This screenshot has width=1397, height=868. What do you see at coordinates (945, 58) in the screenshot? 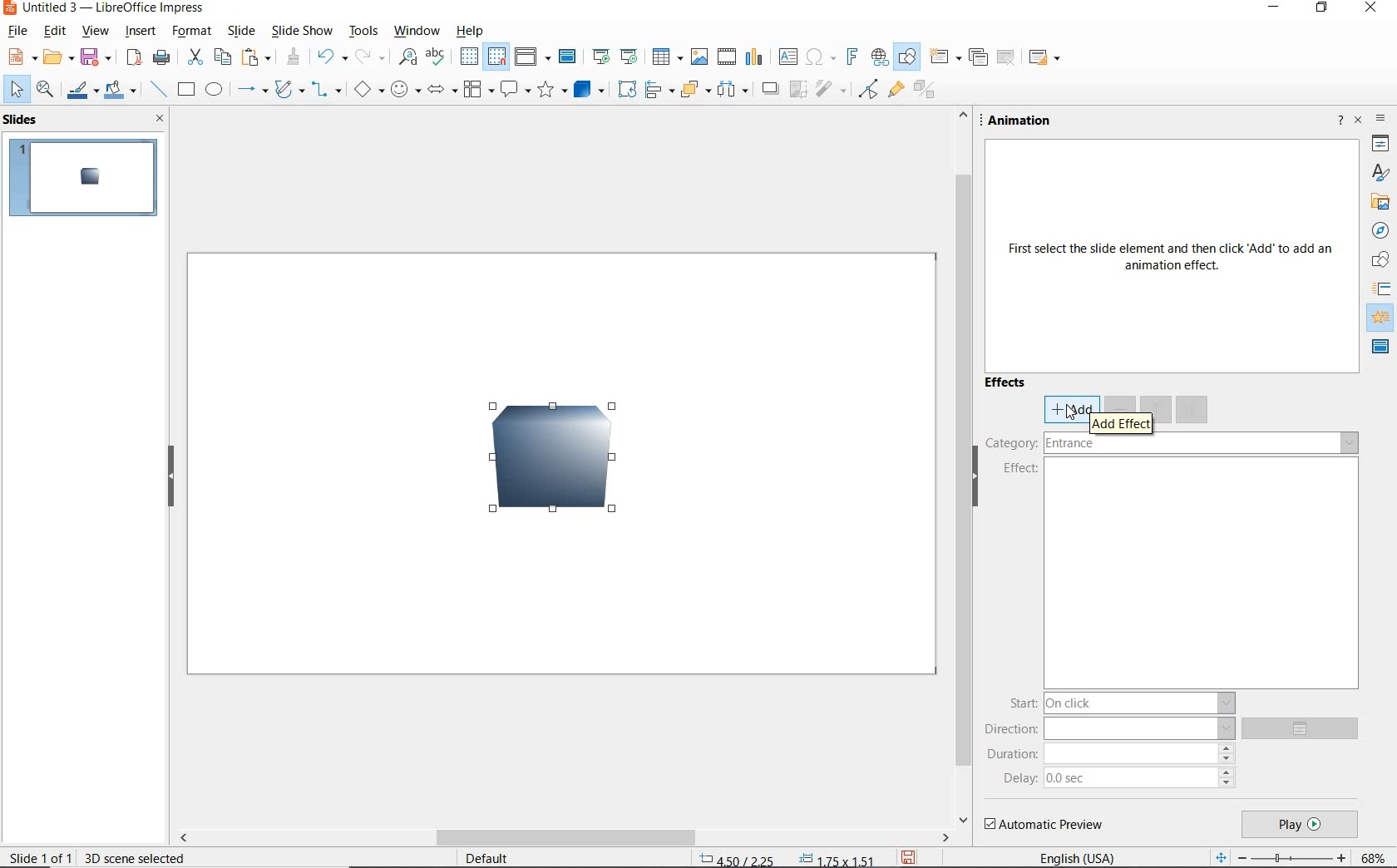
I see `new slide` at bounding box center [945, 58].